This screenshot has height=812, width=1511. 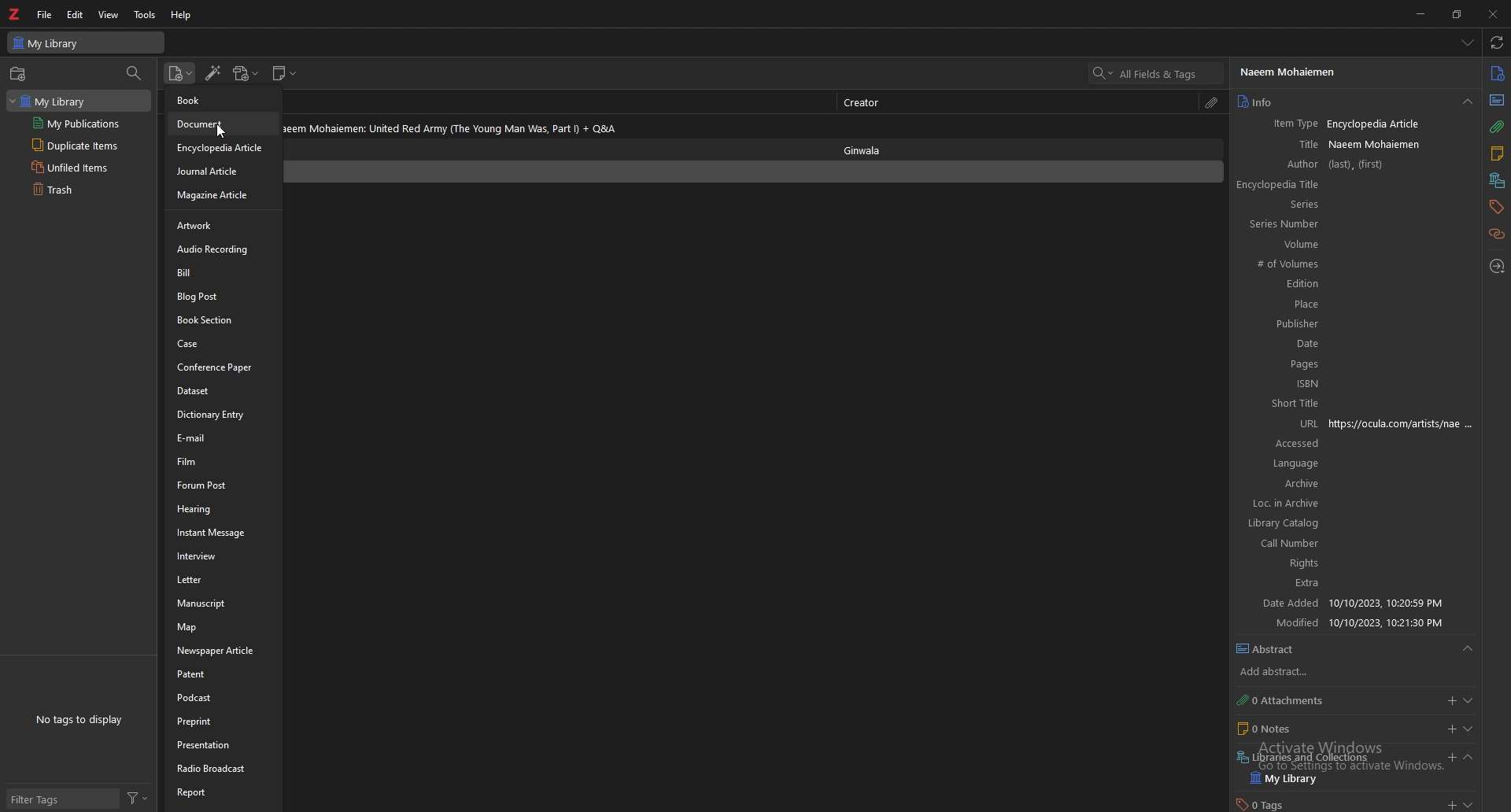 I want to click on new note, so click(x=286, y=73).